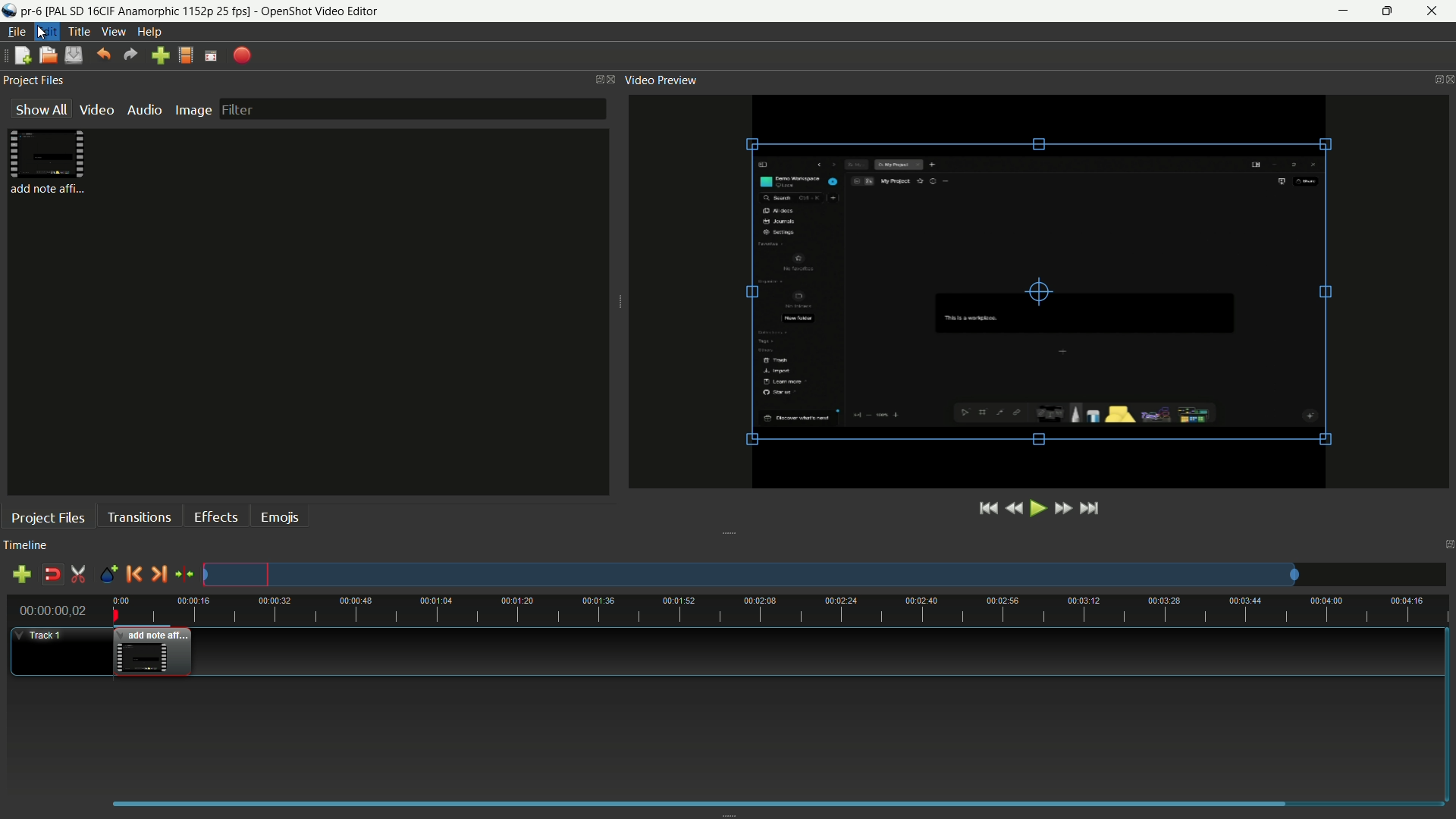  I want to click on close app, so click(1433, 11).